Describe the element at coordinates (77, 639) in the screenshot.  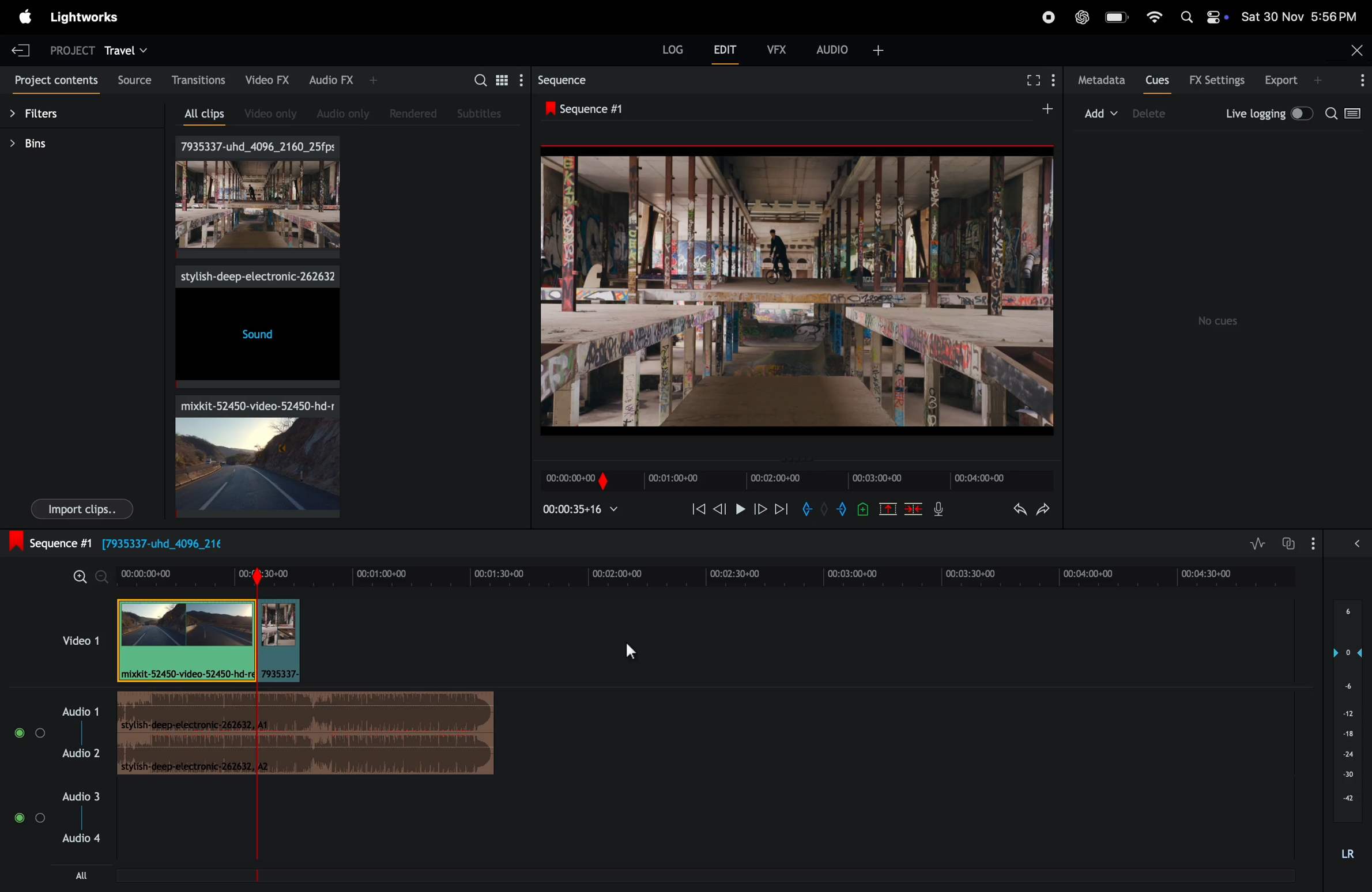
I see `video 1` at that location.